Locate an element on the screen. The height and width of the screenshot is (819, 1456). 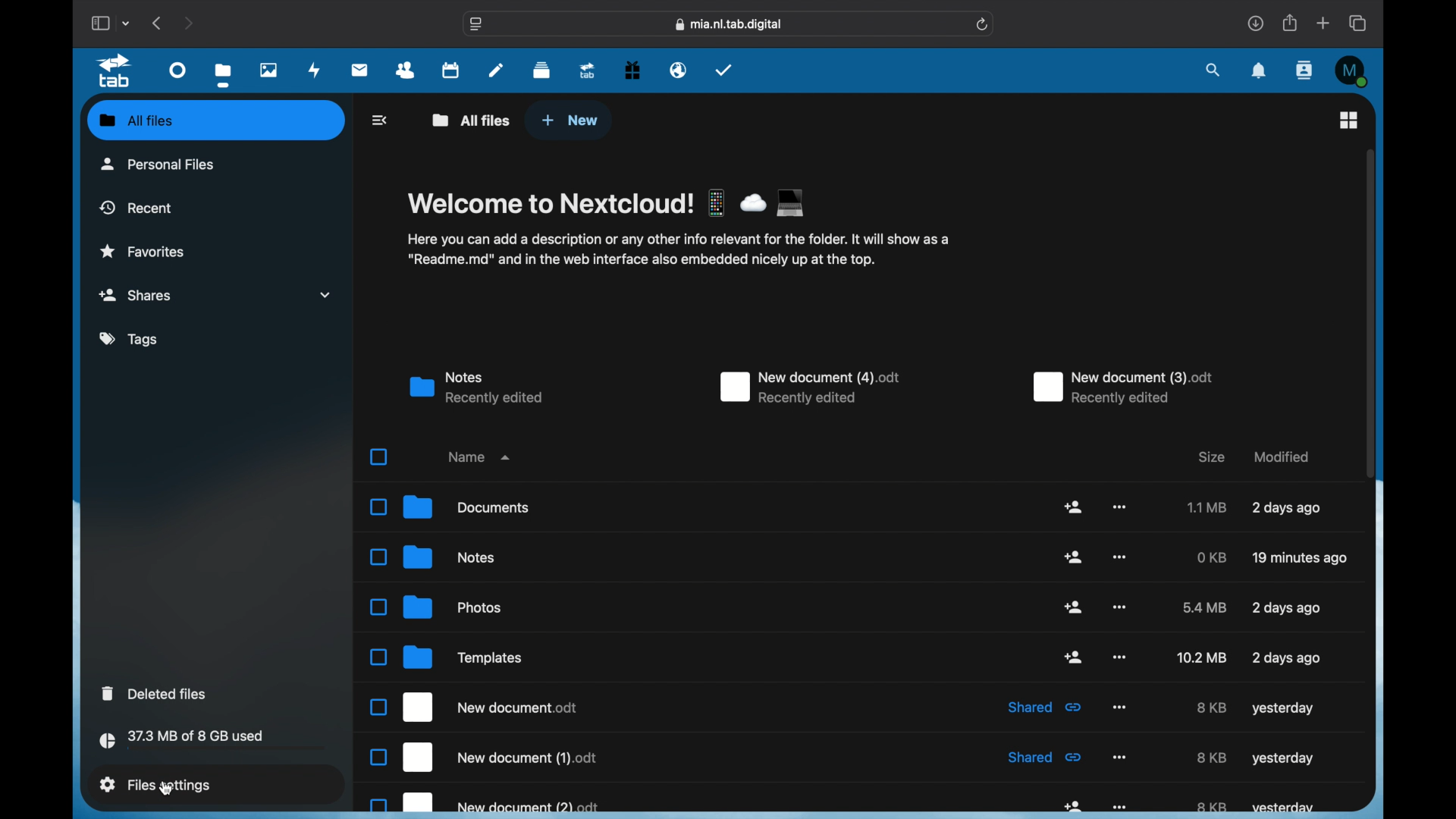
shared is located at coordinates (1046, 757).